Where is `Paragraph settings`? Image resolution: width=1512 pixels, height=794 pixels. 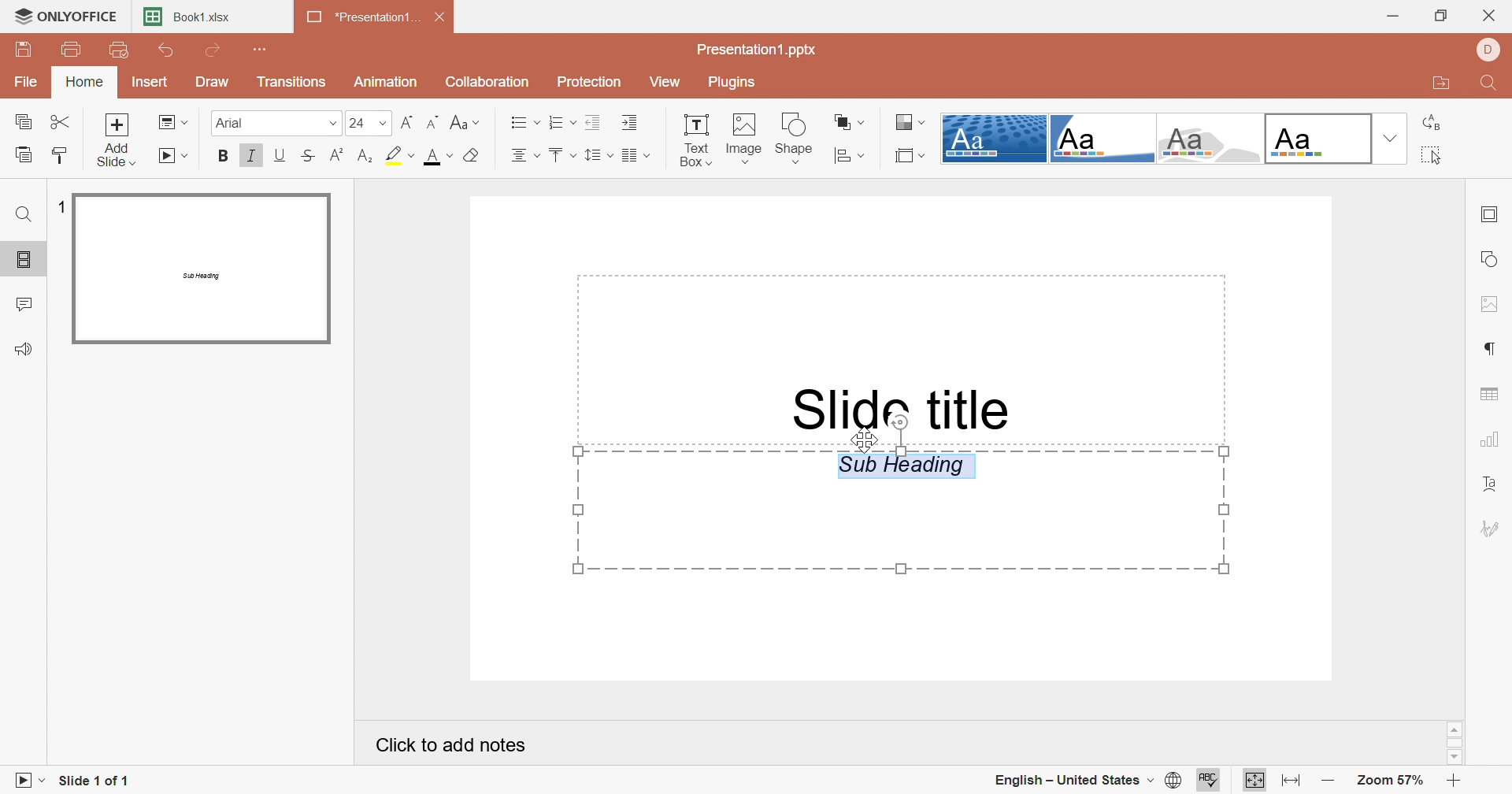 Paragraph settings is located at coordinates (1495, 350).